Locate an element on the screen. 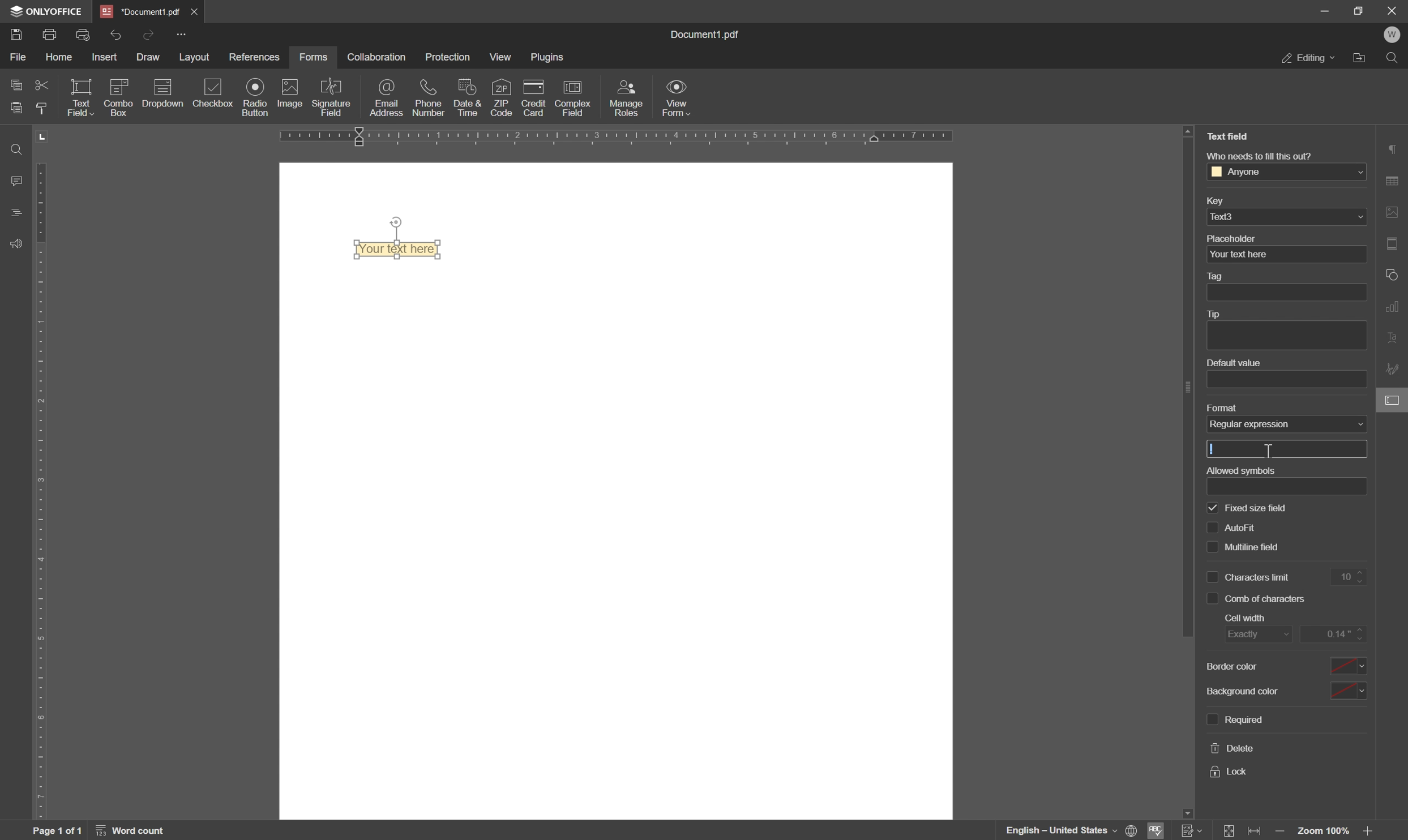  zoom 100% is located at coordinates (1325, 832).